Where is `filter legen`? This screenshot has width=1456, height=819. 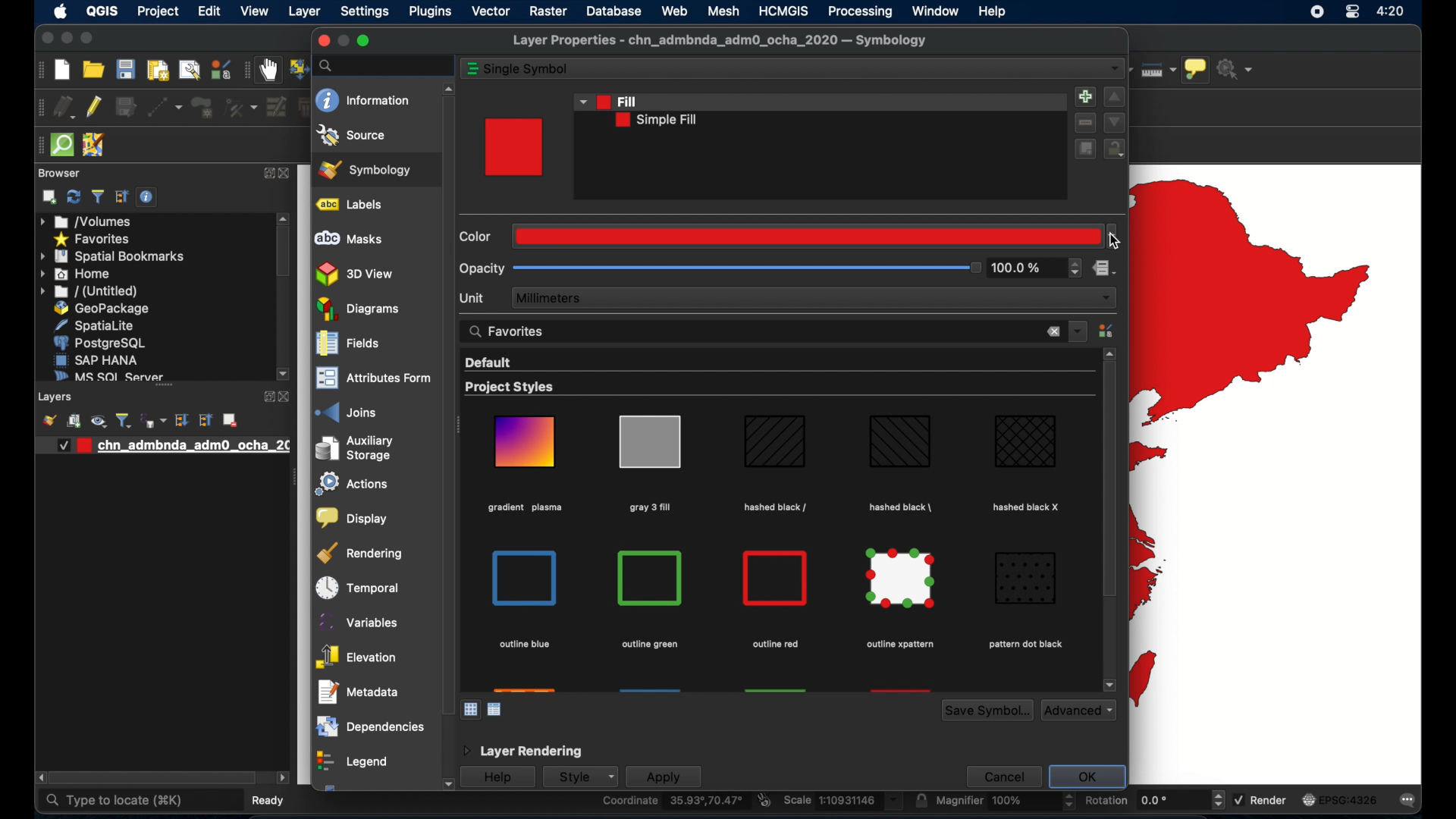 filter legen is located at coordinates (124, 420).